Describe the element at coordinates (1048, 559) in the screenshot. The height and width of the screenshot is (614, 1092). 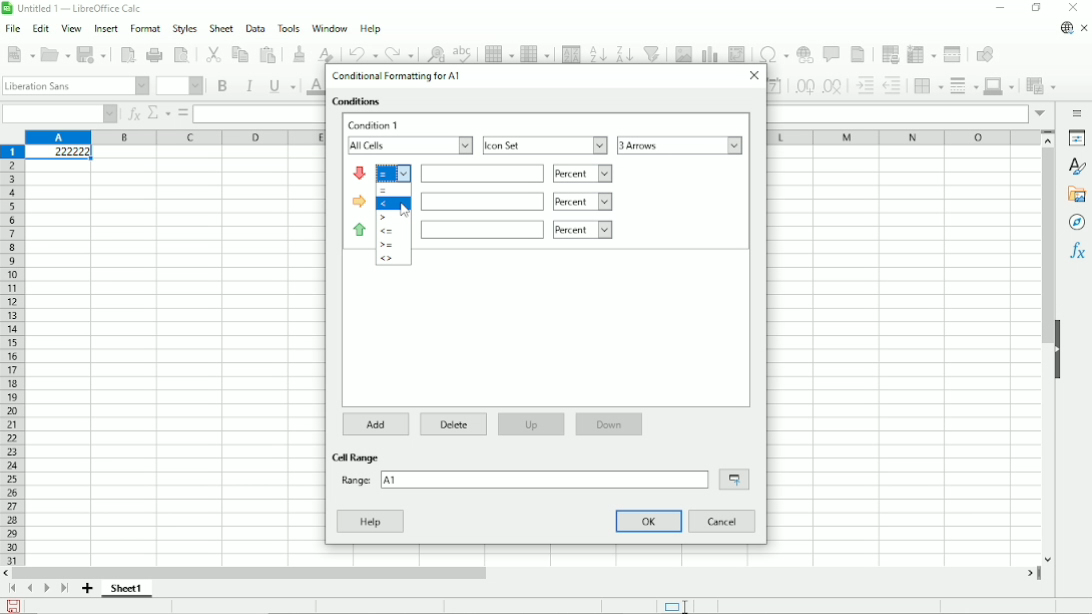
I see `scroll down` at that location.